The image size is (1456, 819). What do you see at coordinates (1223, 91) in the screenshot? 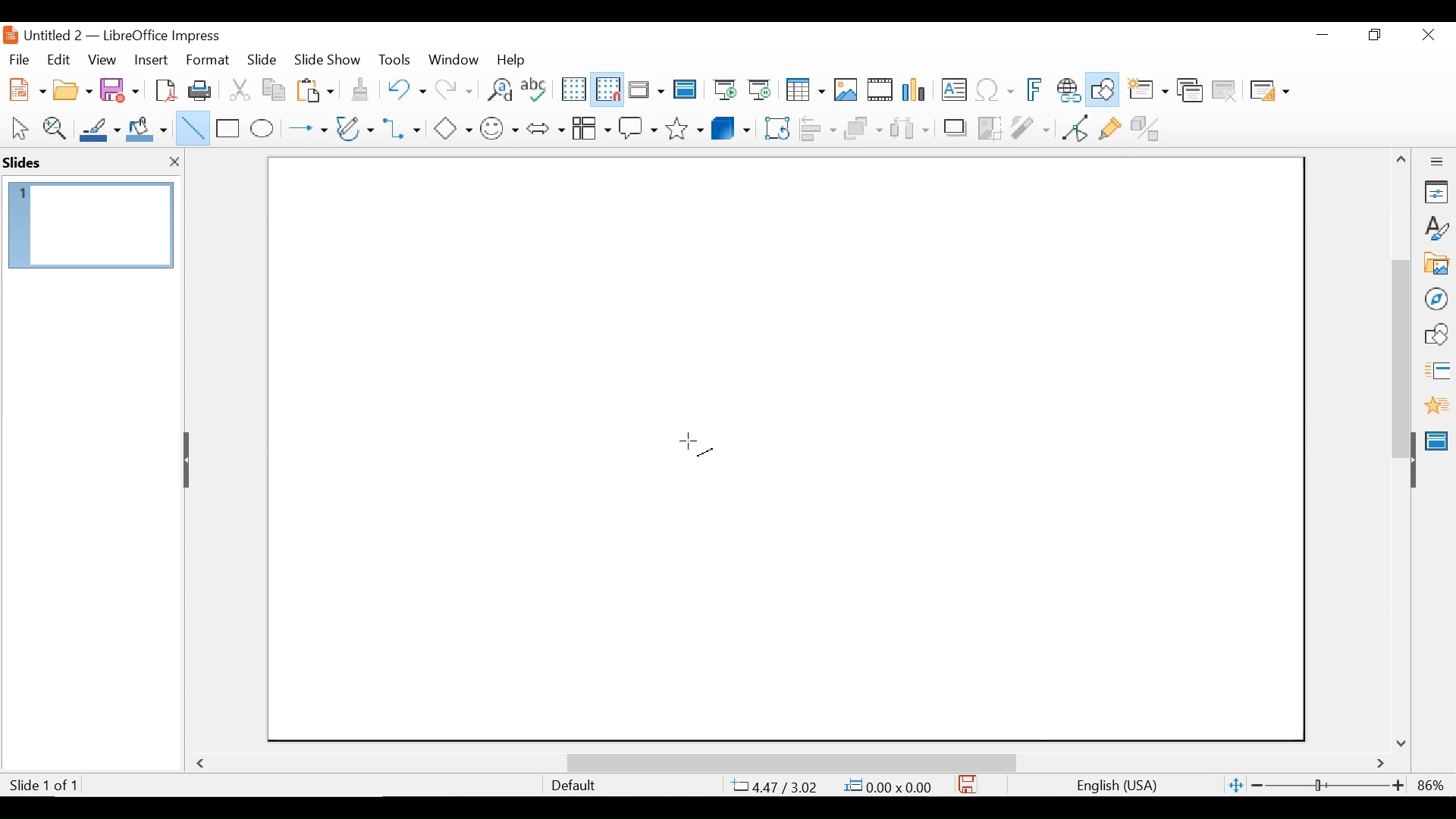
I see `Delete Slide` at bounding box center [1223, 91].